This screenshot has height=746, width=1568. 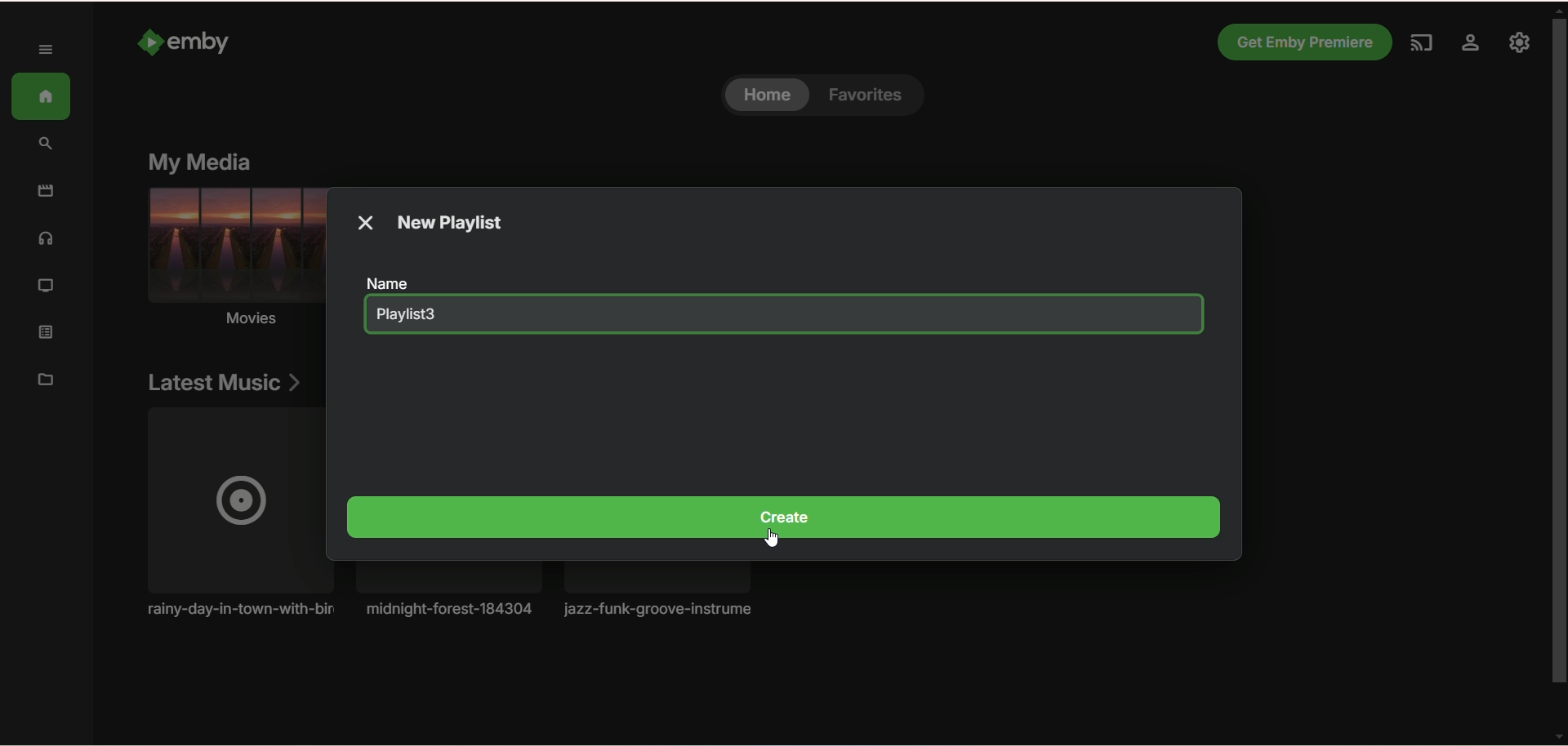 I want to click on manage metadata, so click(x=46, y=379).